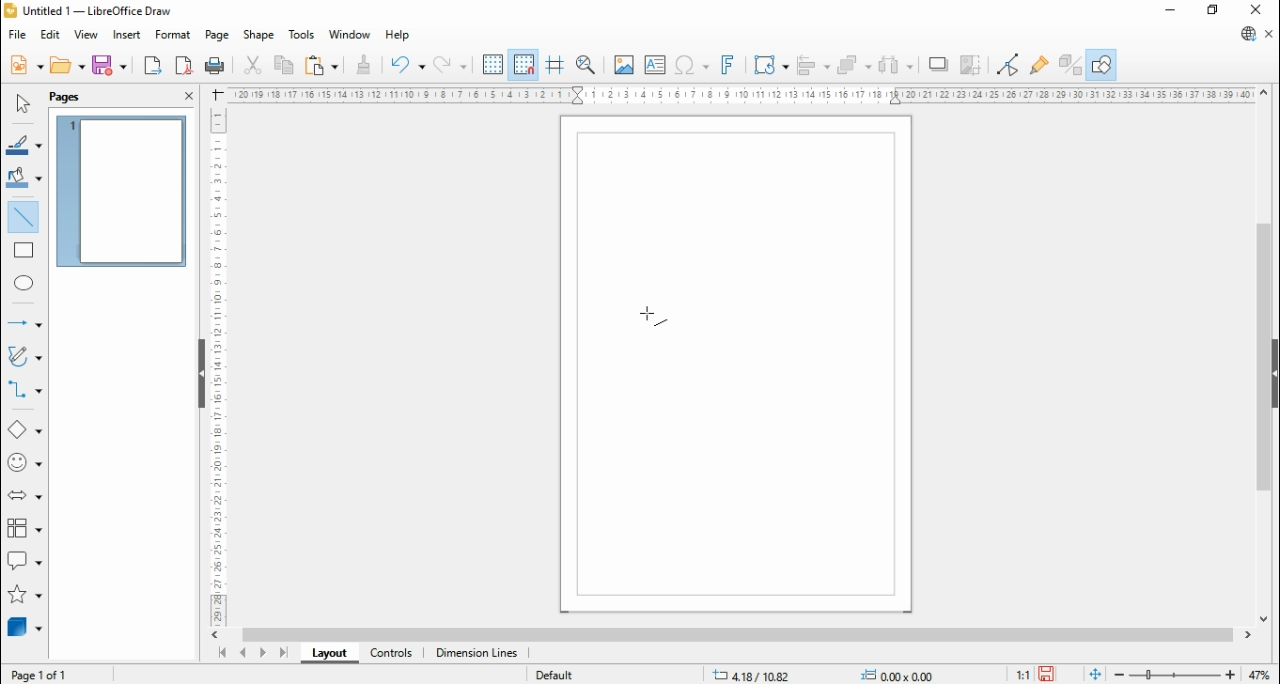 The height and width of the screenshot is (684, 1280). What do you see at coordinates (24, 496) in the screenshot?
I see `block arrows` at bounding box center [24, 496].